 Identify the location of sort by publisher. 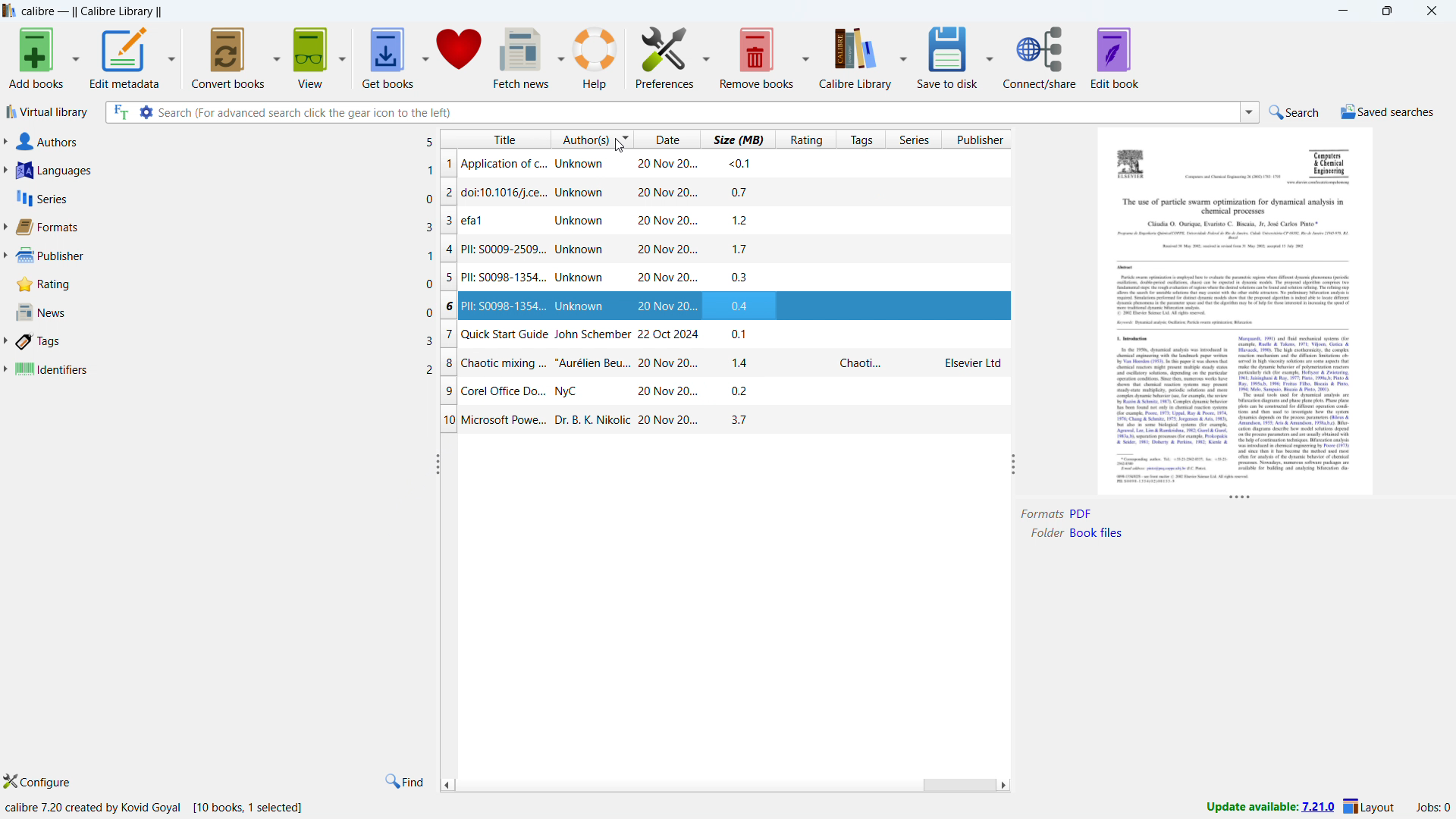
(979, 139).